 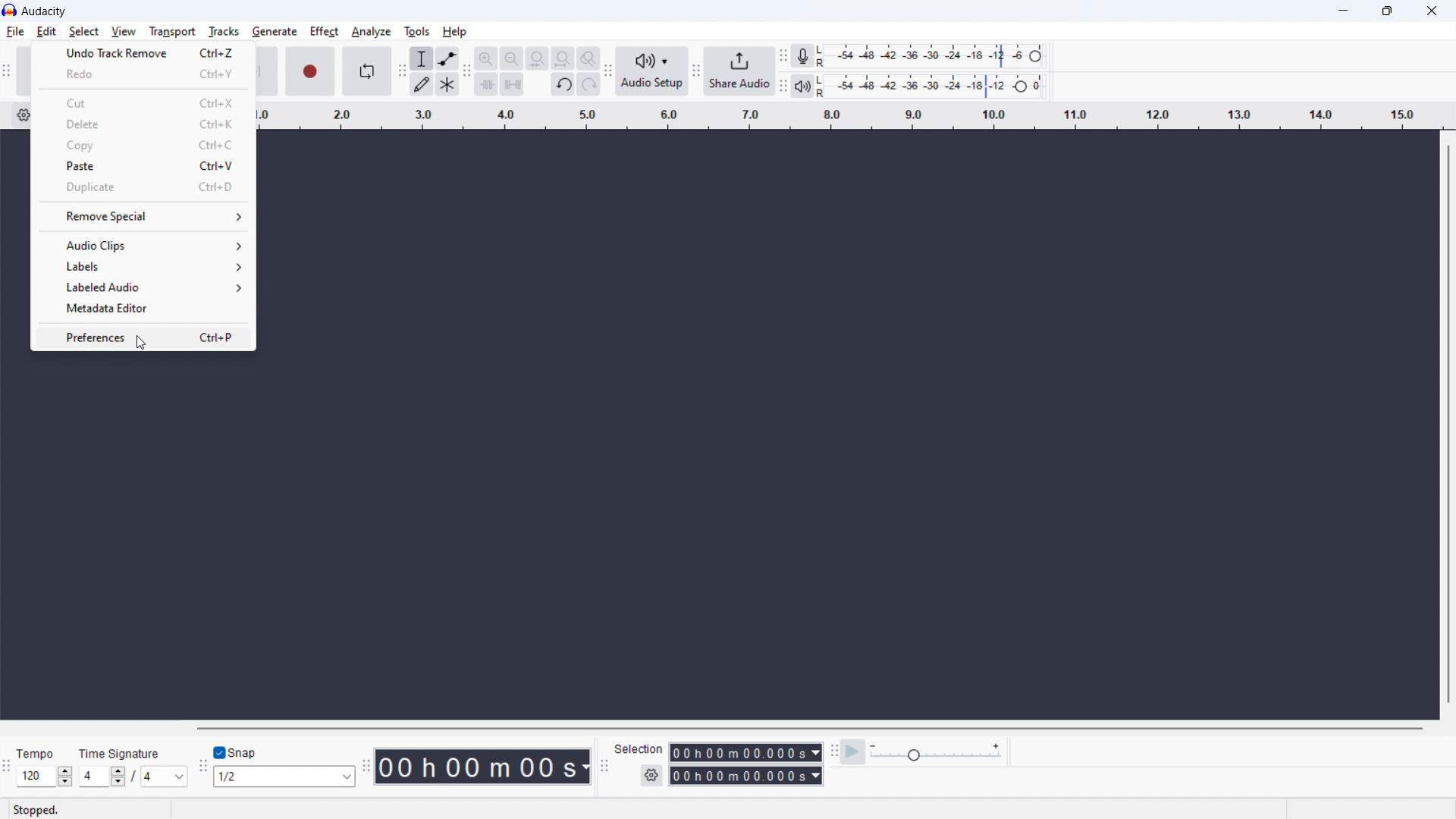 I want to click on Enables movement of selection toolbar, so click(x=604, y=767).